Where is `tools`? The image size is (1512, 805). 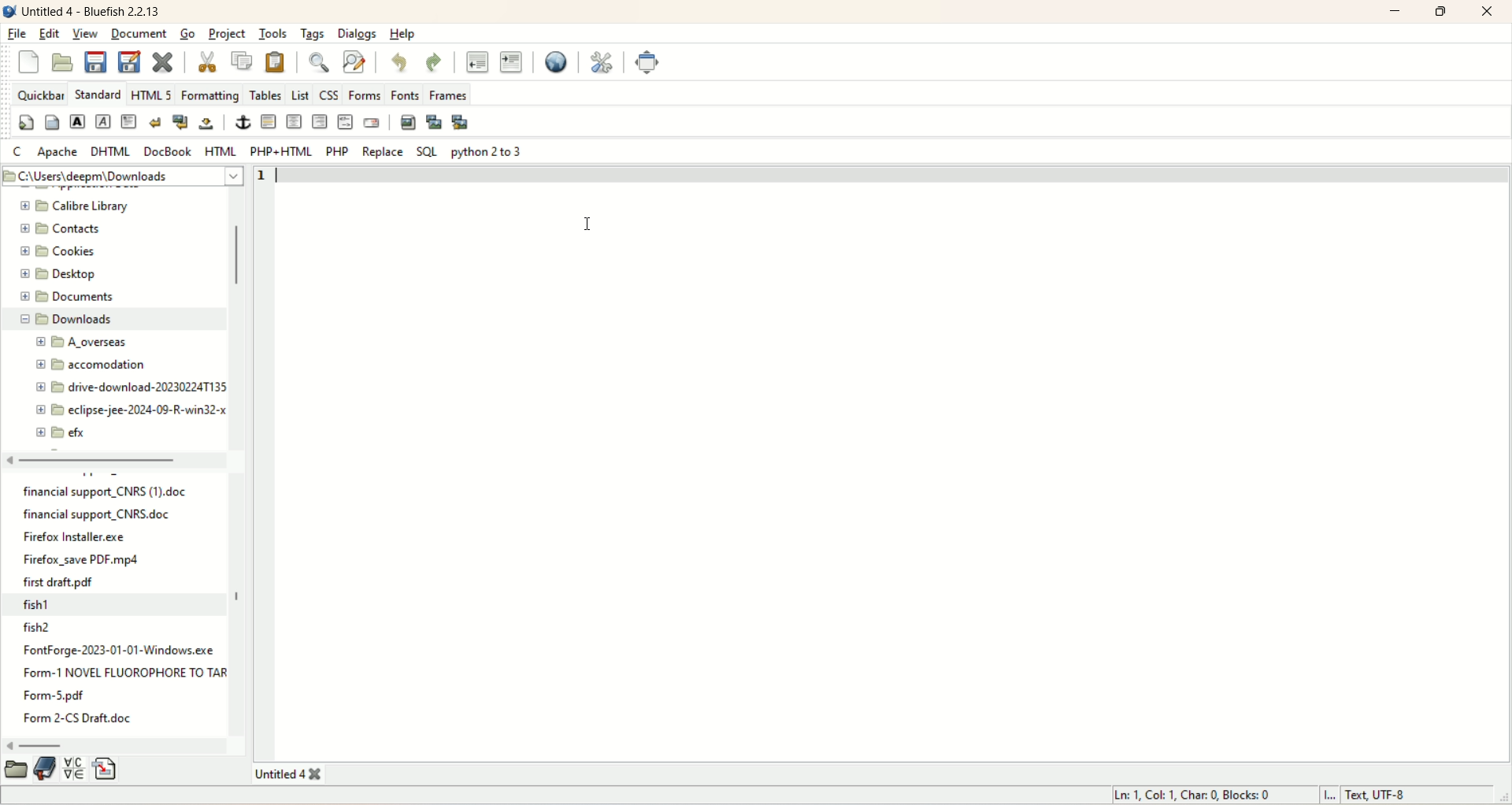 tools is located at coordinates (275, 34).